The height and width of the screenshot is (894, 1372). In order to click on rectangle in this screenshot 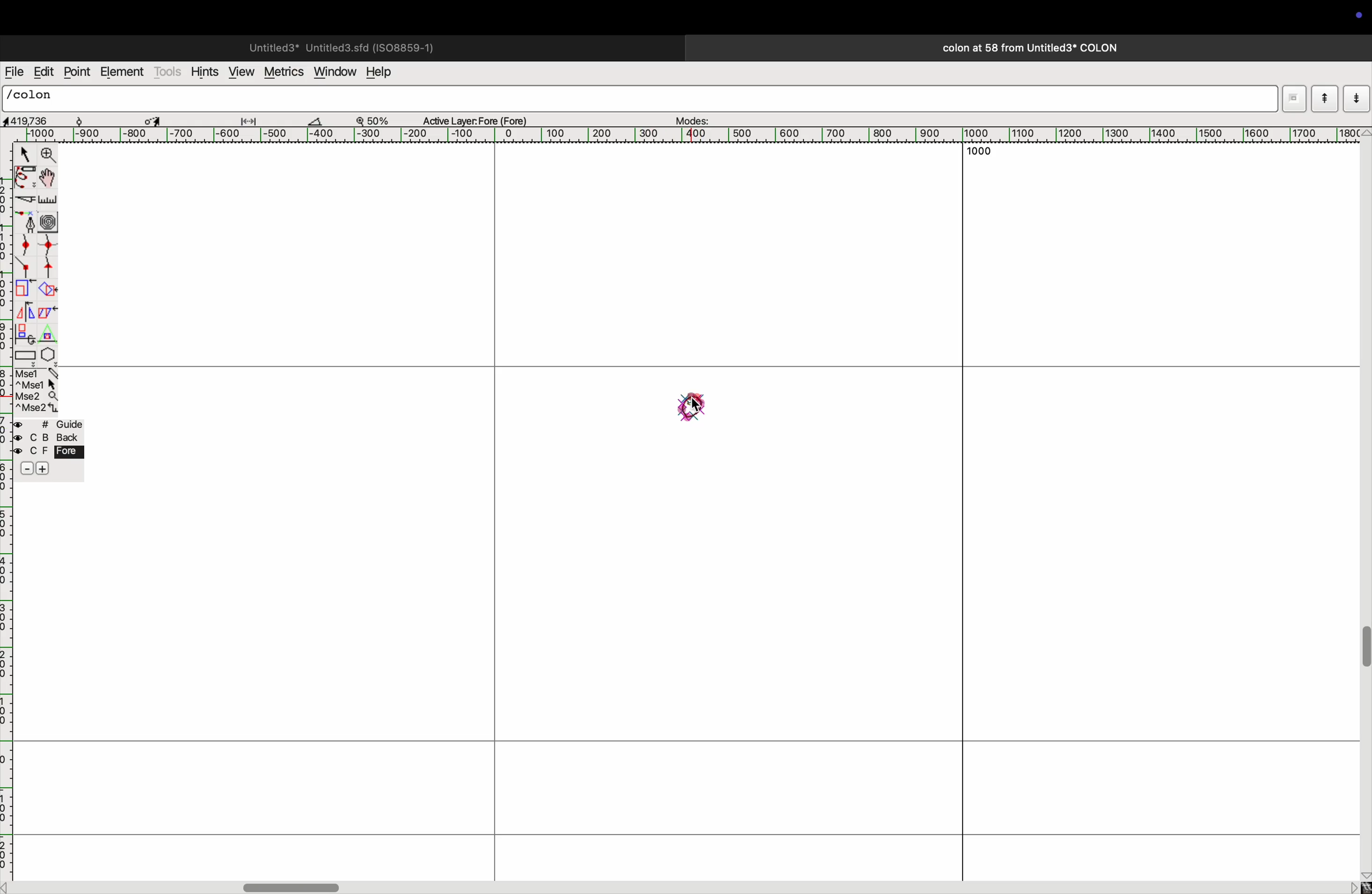, I will do `click(25, 354)`.